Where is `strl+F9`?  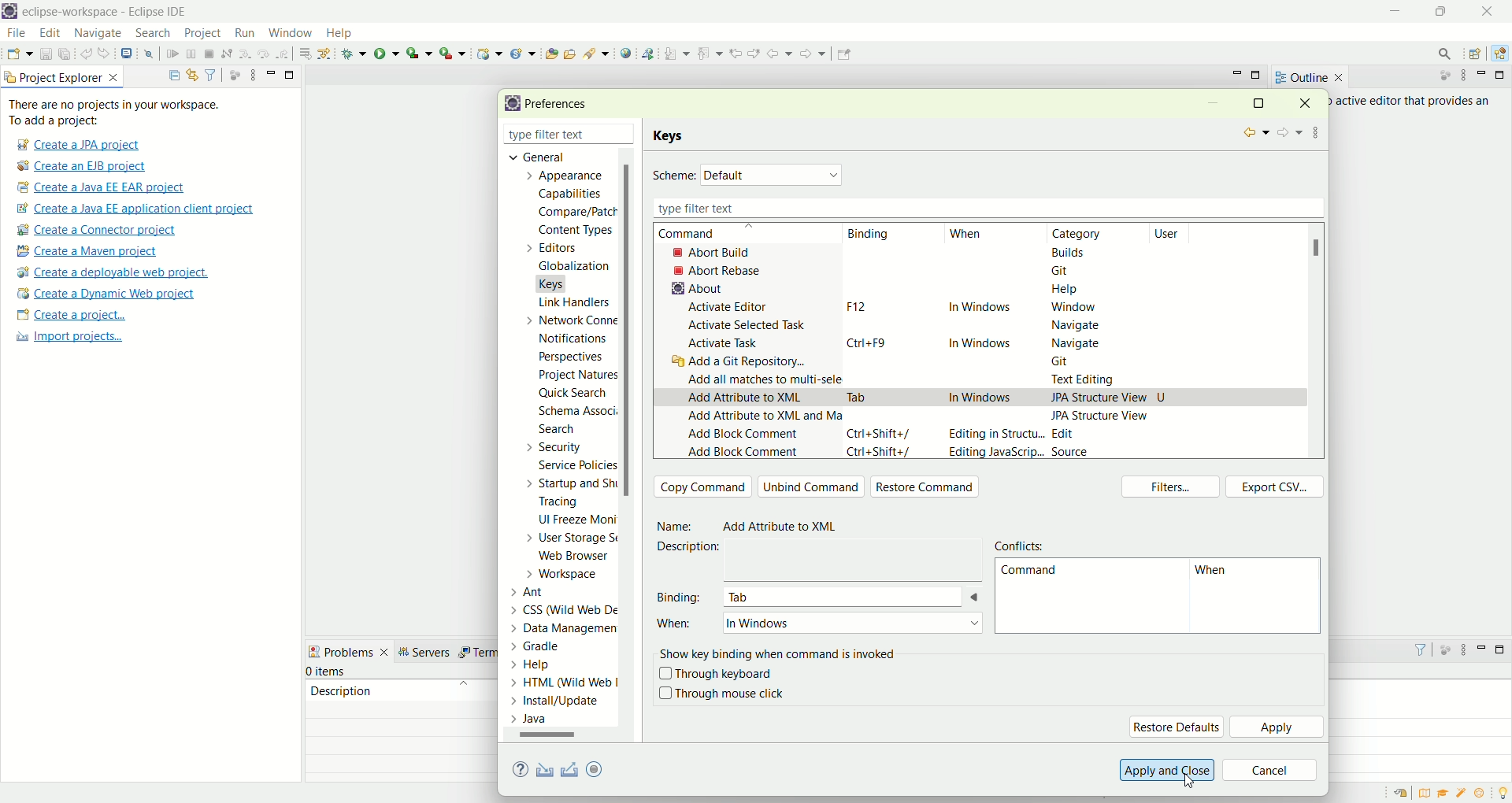
strl+F9 is located at coordinates (872, 342).